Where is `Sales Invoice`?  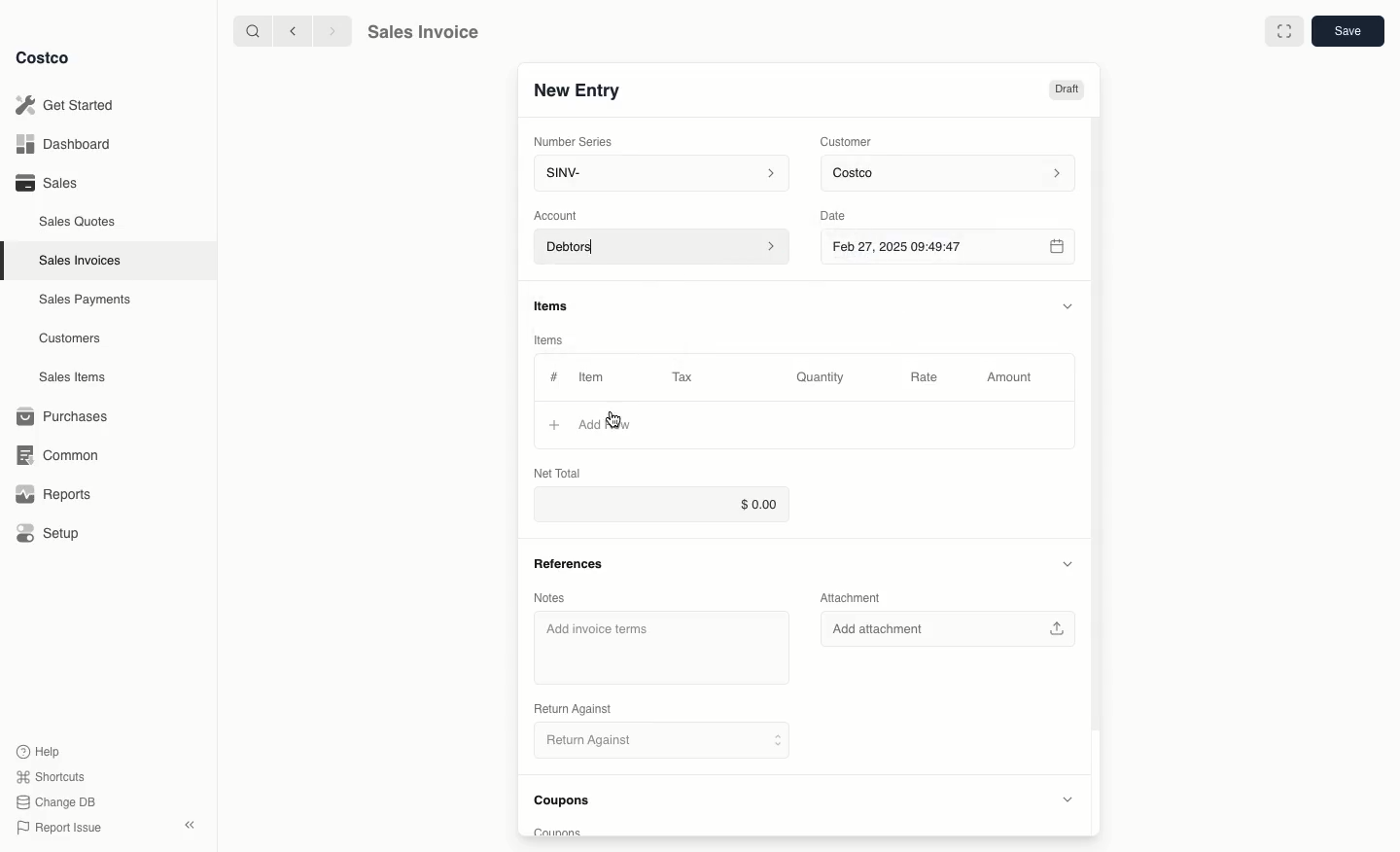 Sales Invoice is located at coordinates (422, 32).